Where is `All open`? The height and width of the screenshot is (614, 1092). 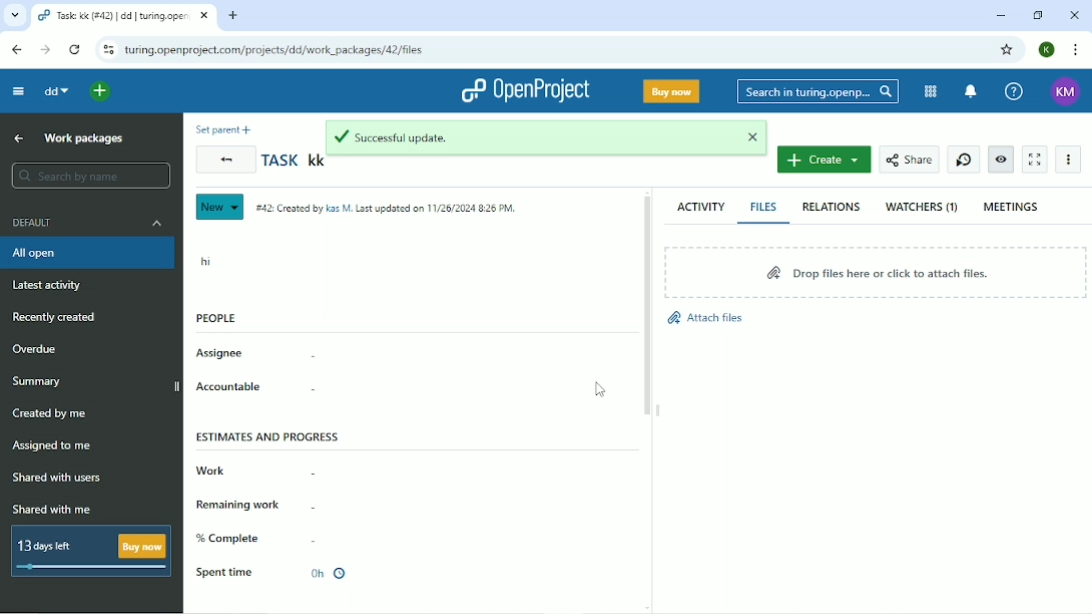
All open is located at coordinates (91, 253).